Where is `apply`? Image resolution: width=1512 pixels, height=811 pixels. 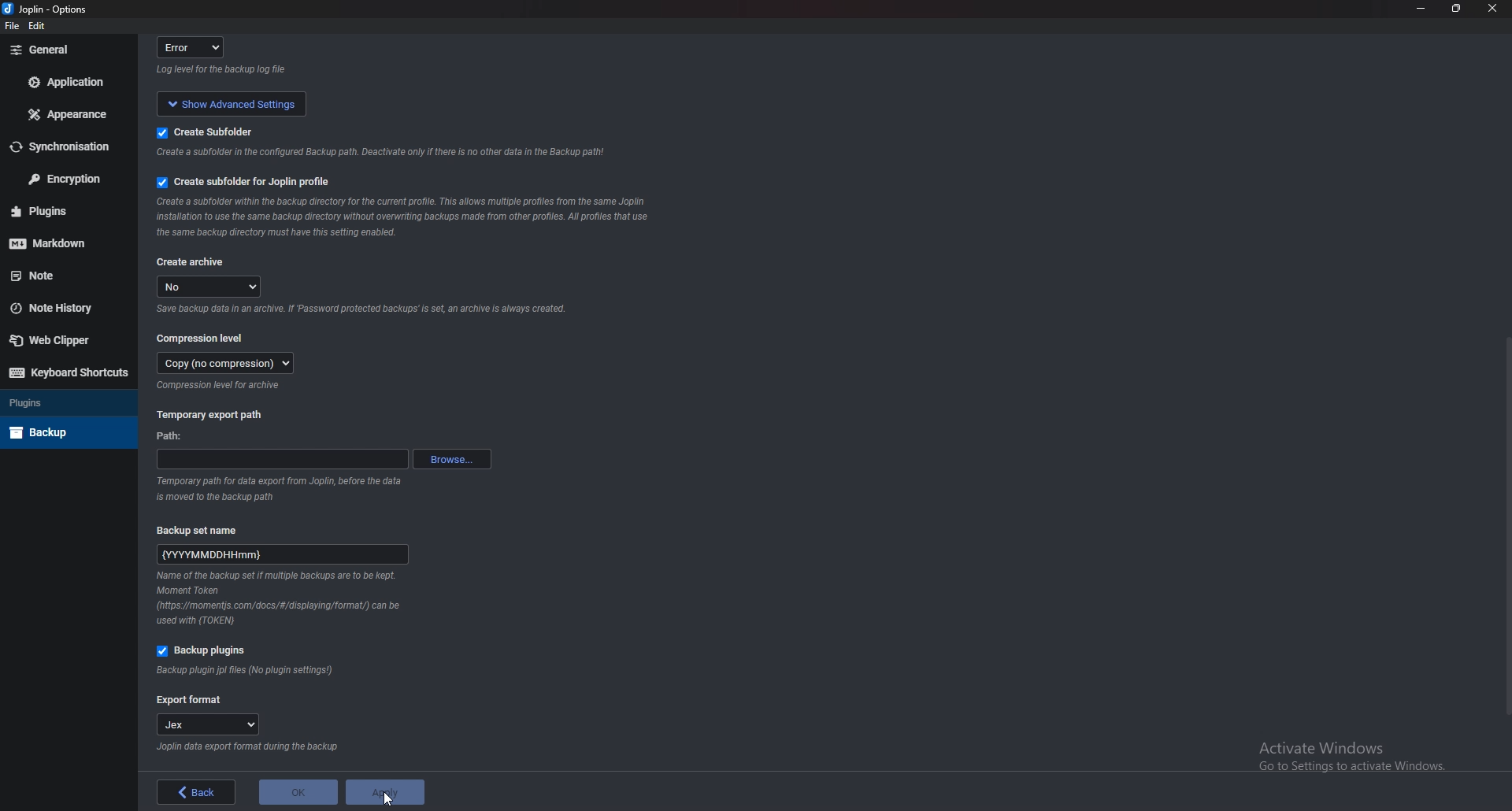 apply is located at coordinates (384, 792).